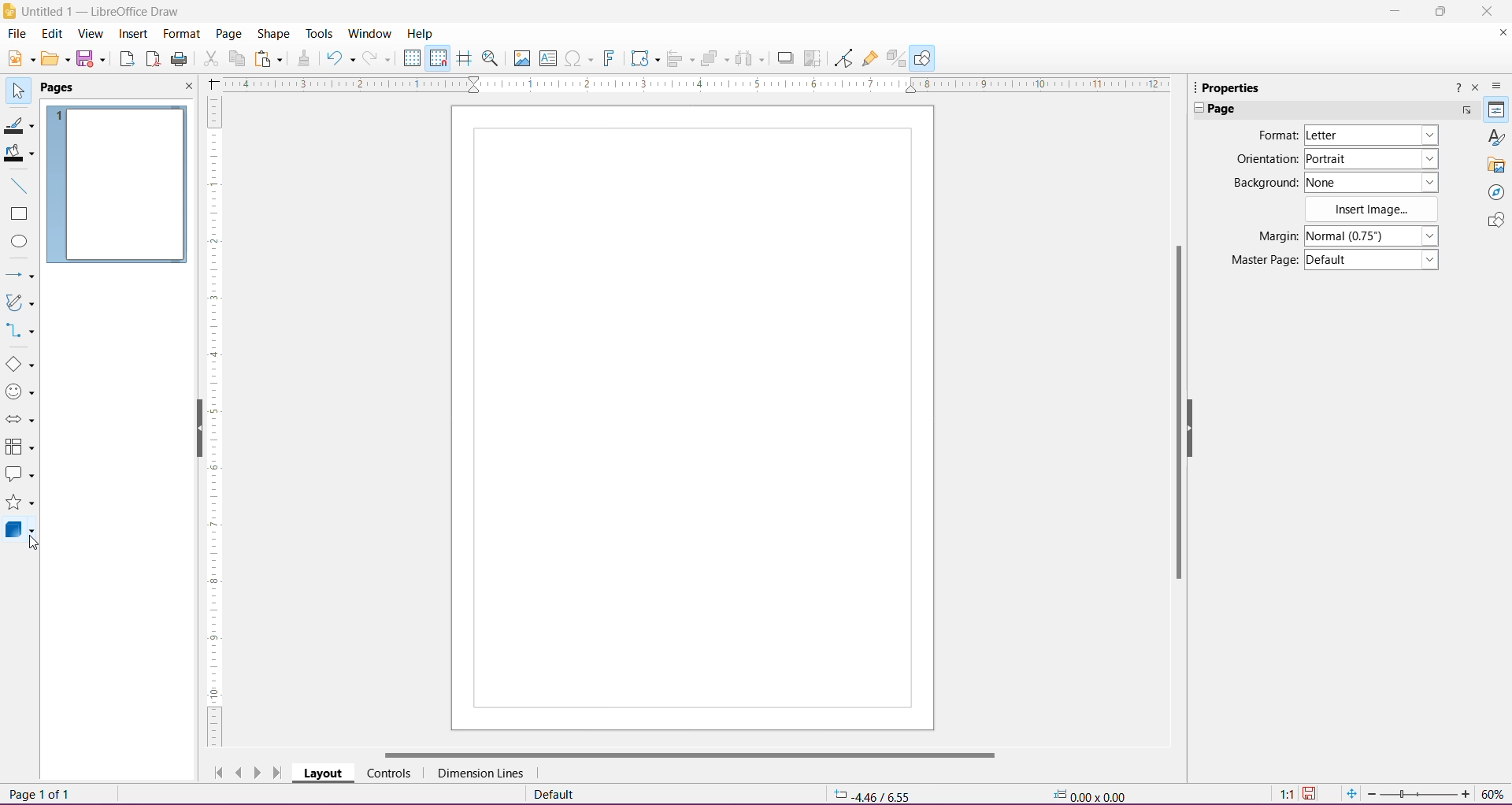  Describe the element at coordinates (610, 58) in the screenshot. I see `Insert Fontwork Text` at that location.